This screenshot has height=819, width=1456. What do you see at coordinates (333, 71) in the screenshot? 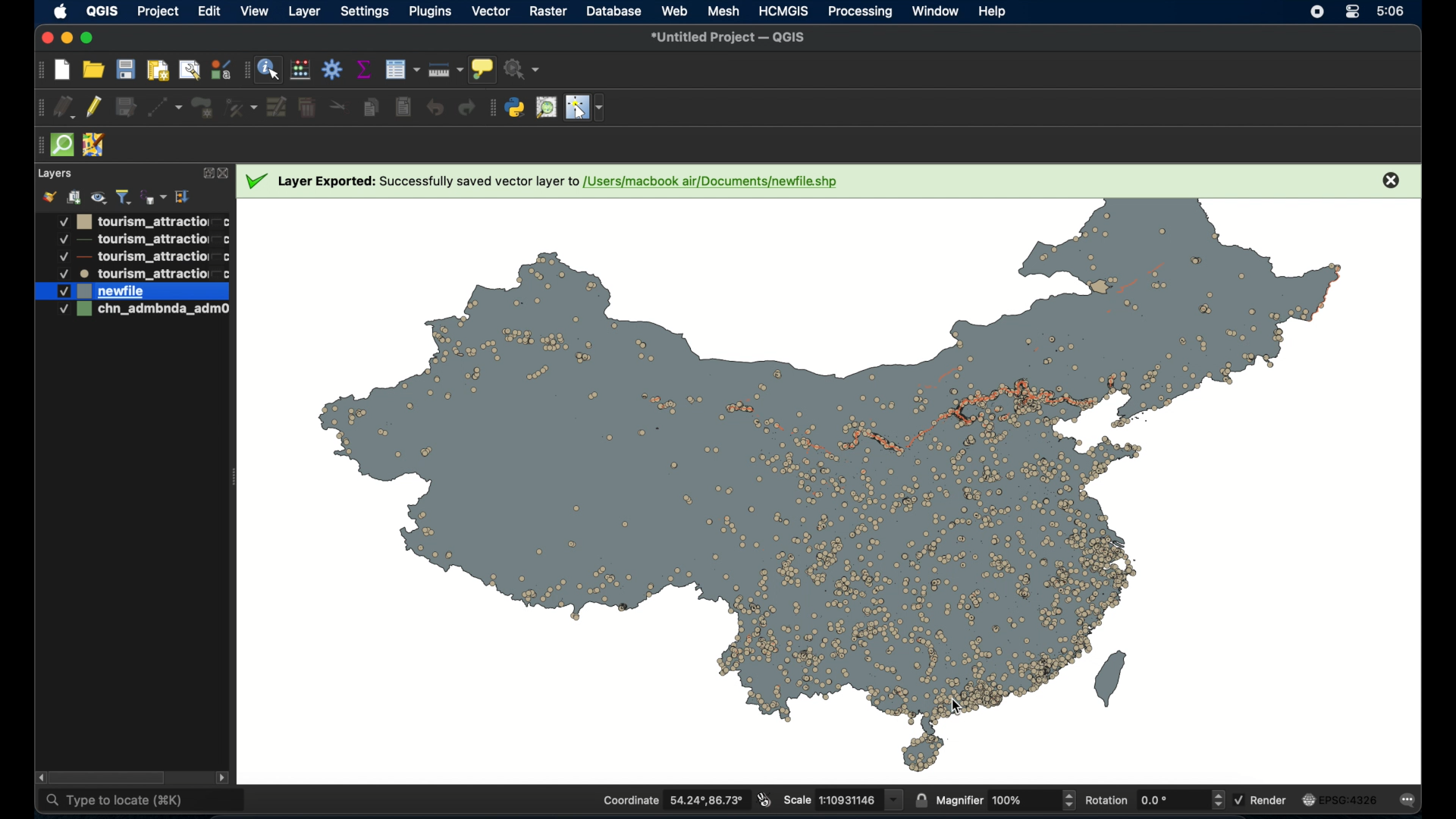
I see `toolbox` at bounding box center [333, 71].